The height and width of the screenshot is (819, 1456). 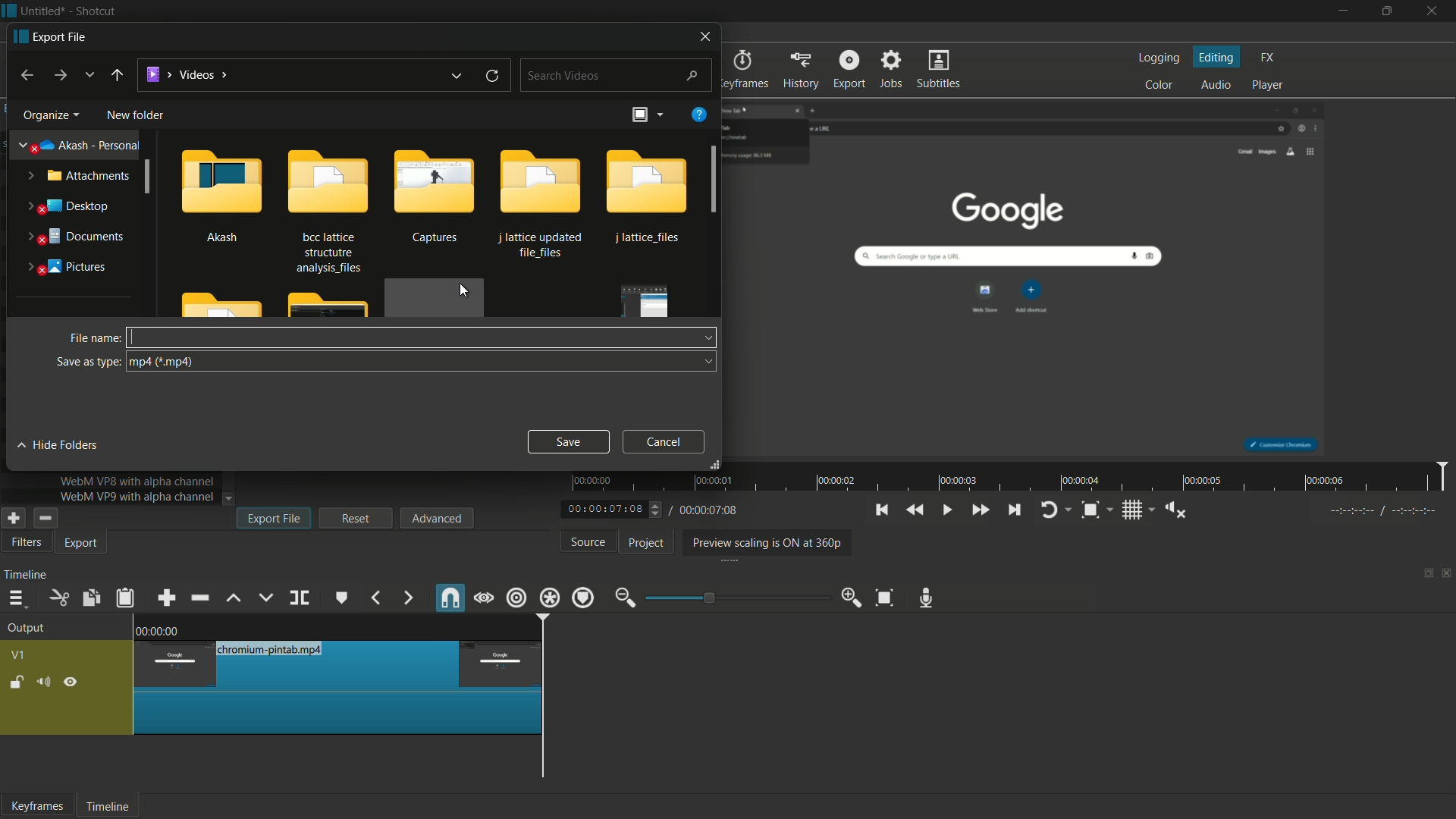 What do you see at coordinates (1012, 510) in the screenshot?
I see `skip to the next point` at bounding box center [1012, 510].